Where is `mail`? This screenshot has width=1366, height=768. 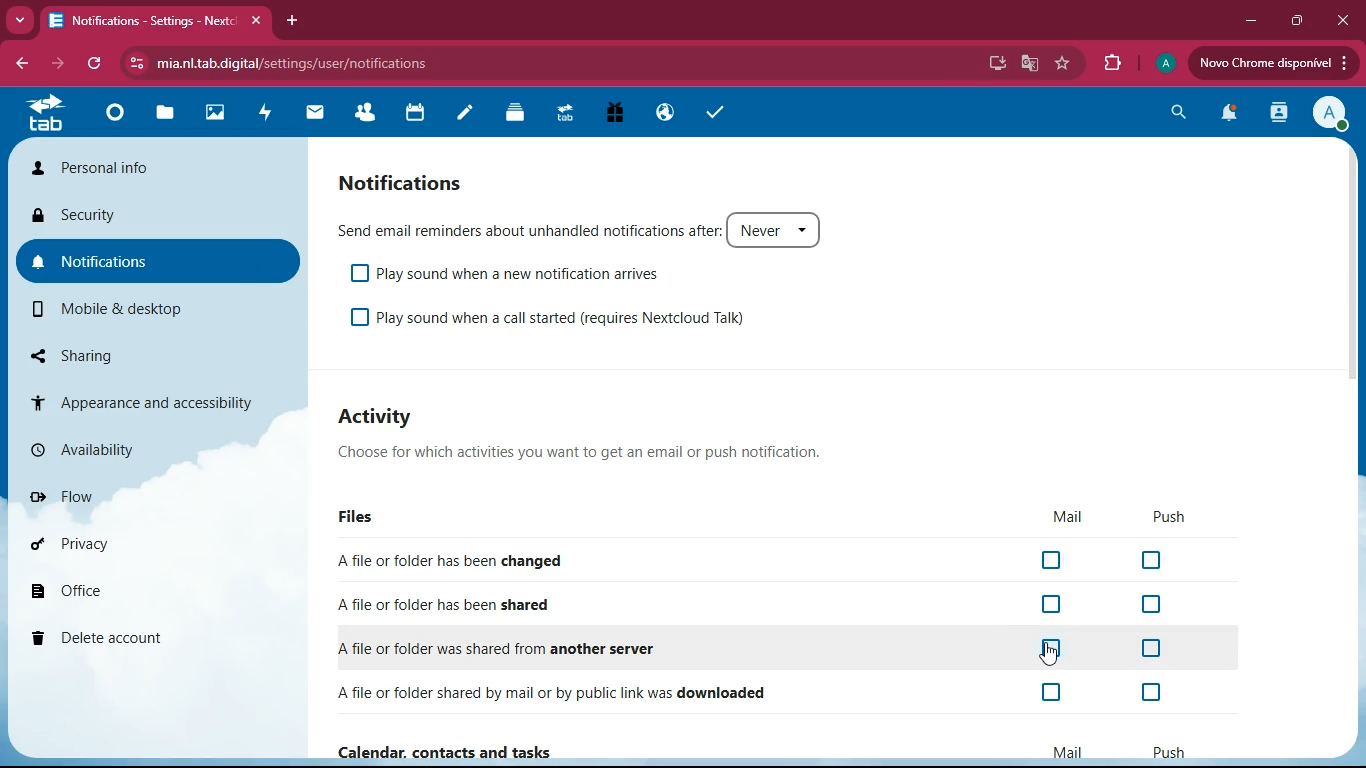 mail is located at coordinates (1059, 515).